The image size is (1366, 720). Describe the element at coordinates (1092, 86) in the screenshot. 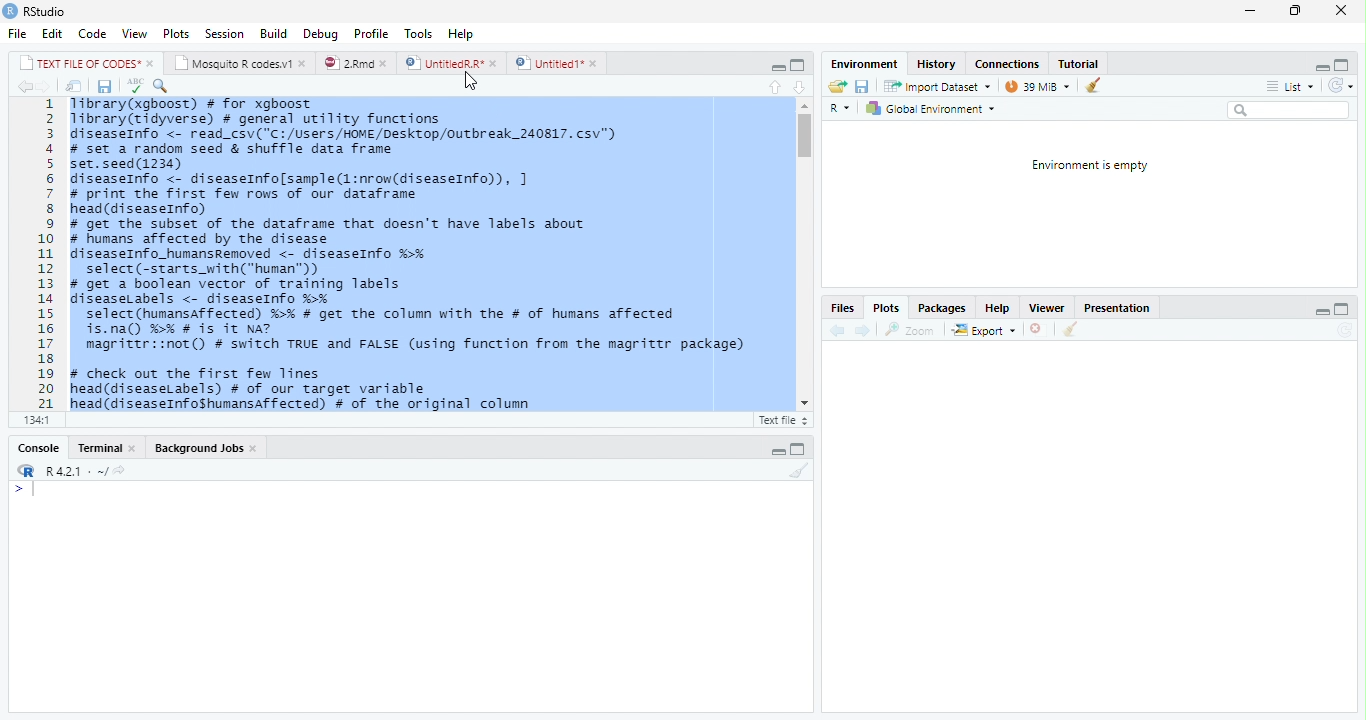

I see `Clean` at that location.